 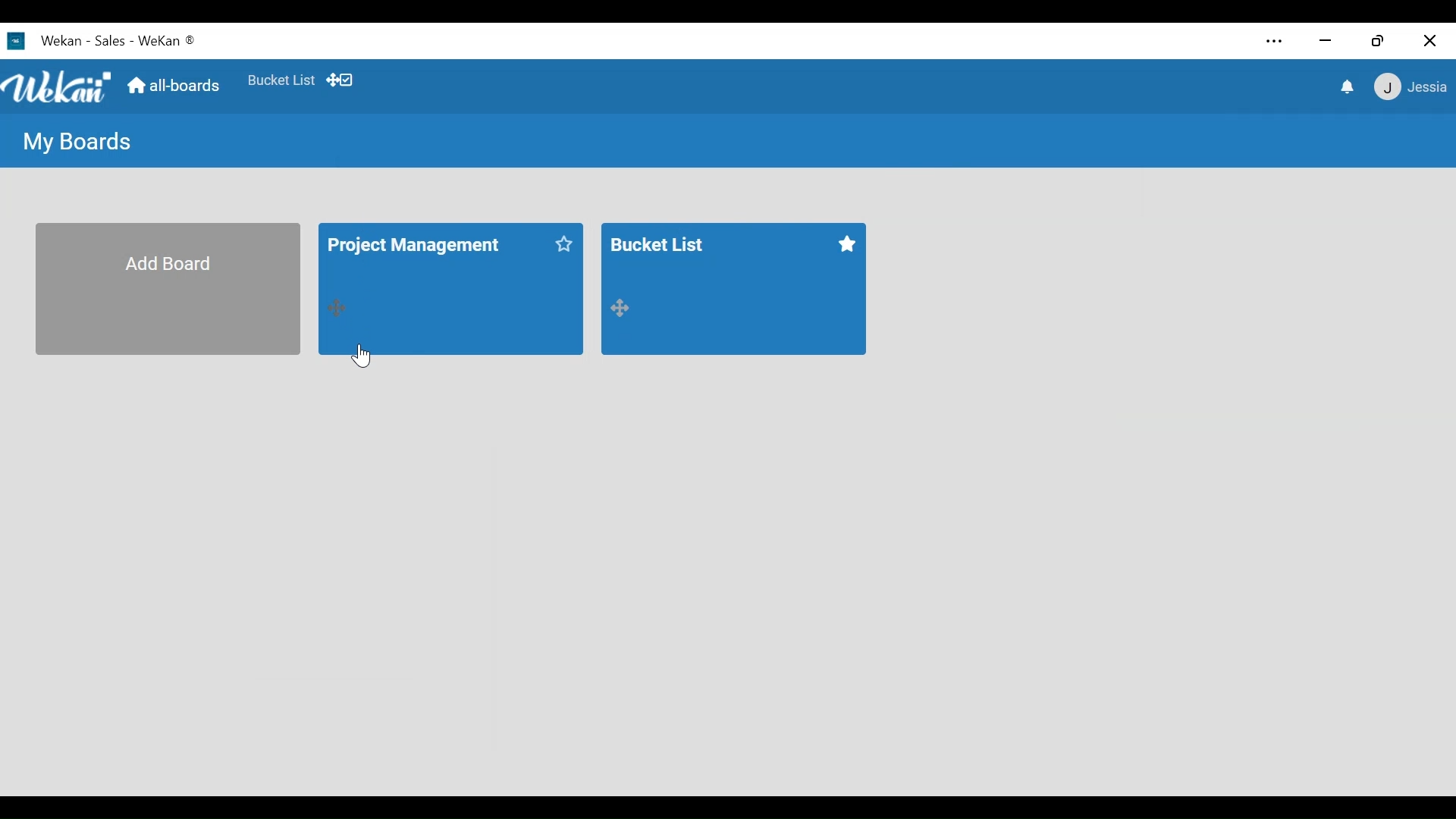 I want to click on Wekan logo, so click(x=19, y=41).